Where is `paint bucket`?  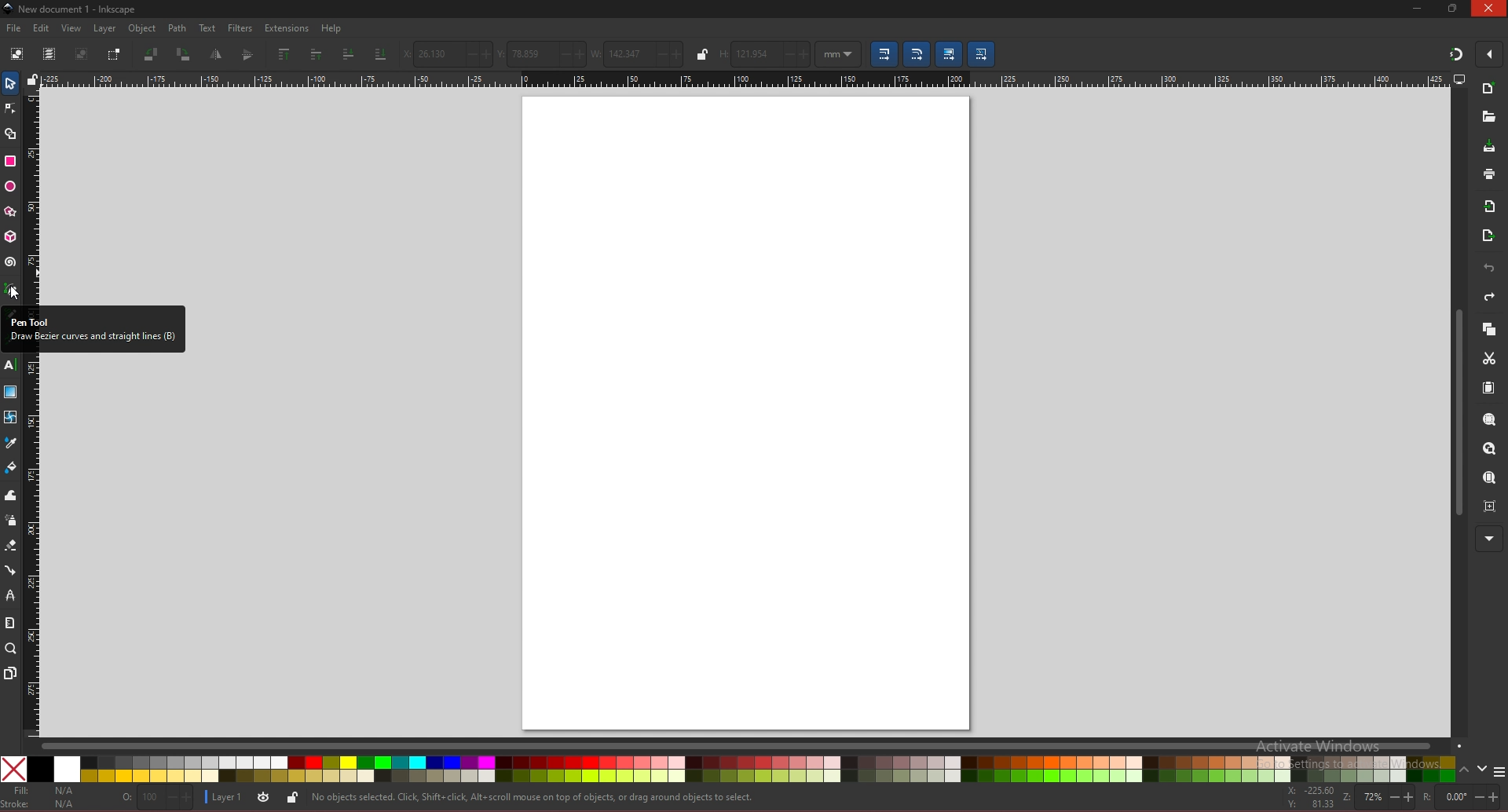
paint bucket is located at coordinates (11, 466).